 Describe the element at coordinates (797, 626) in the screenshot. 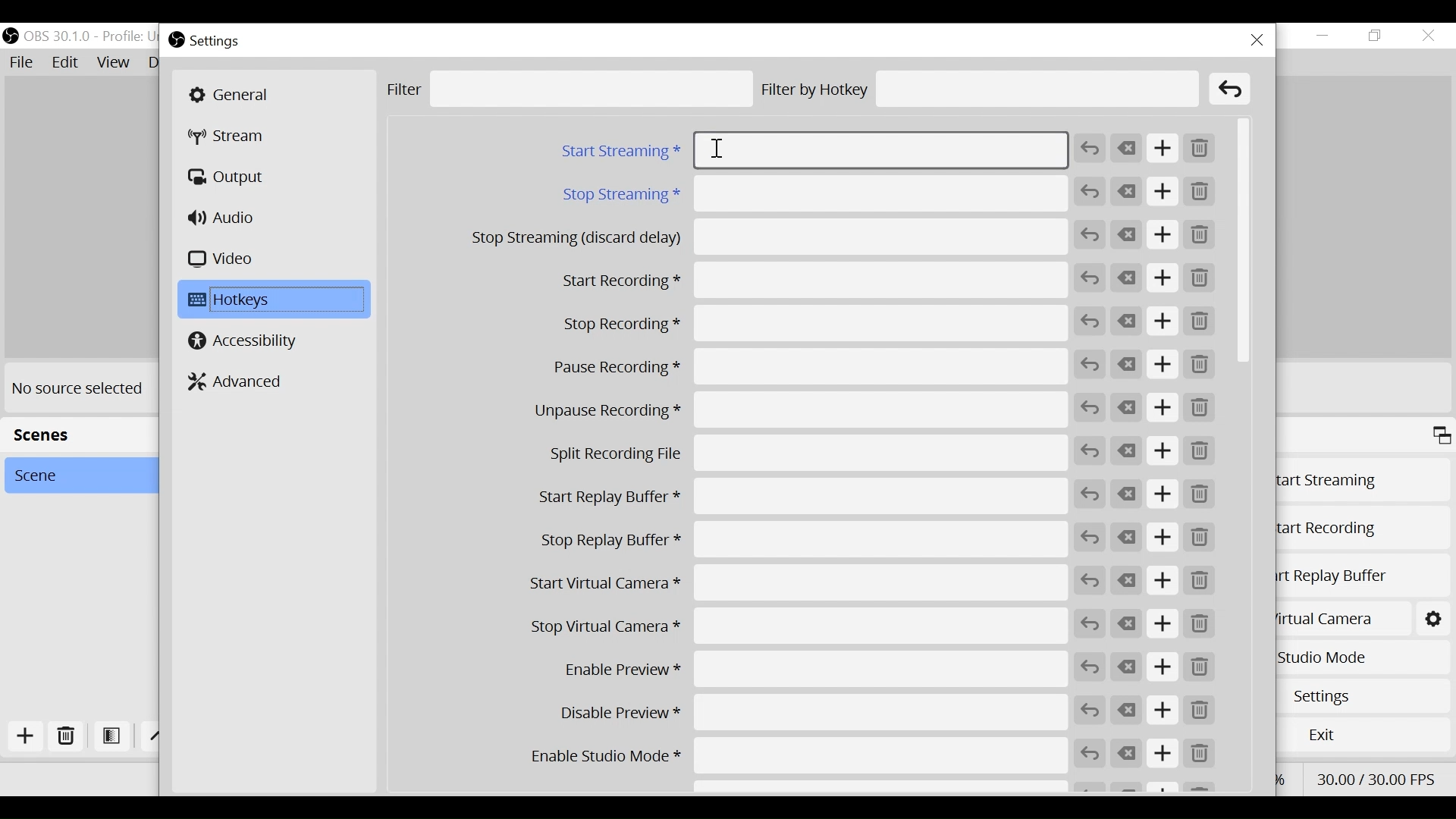

I see `Stop Virtual Camera` at that location.